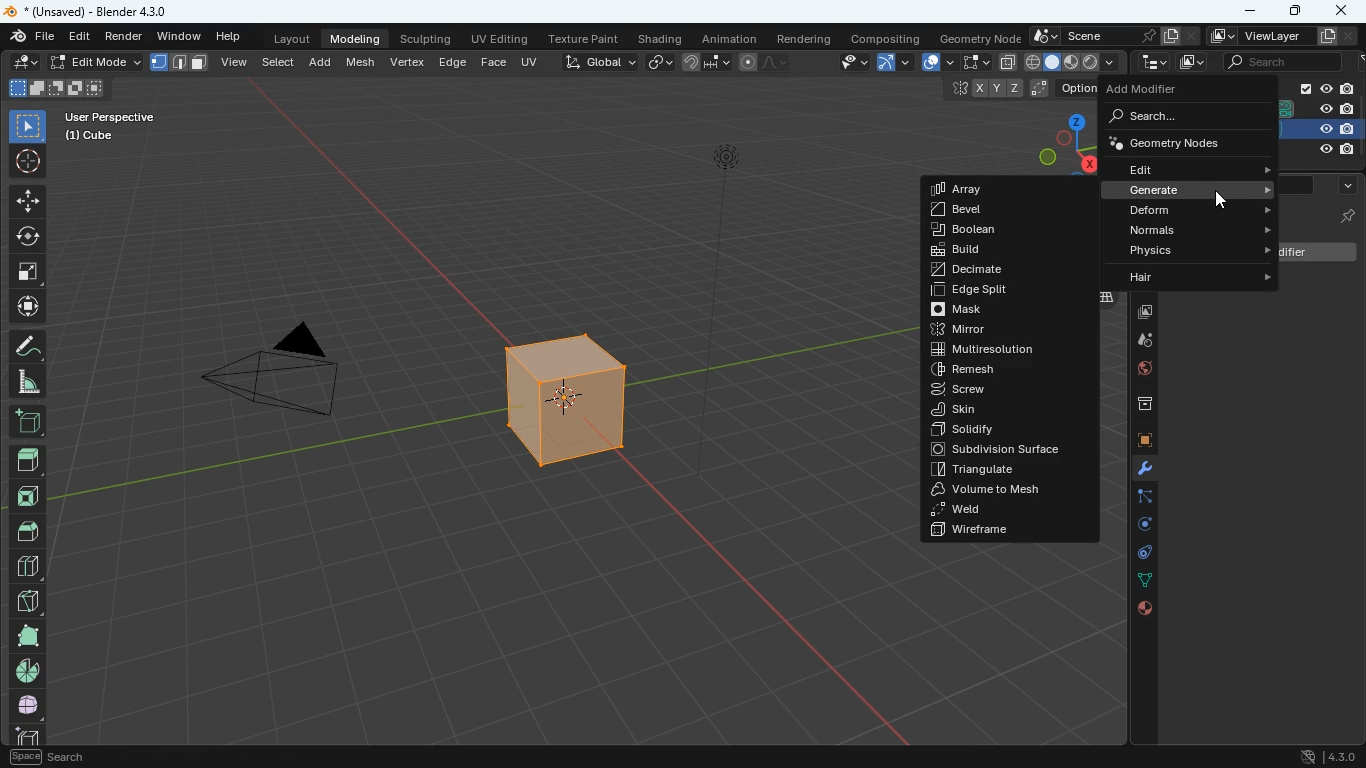 This screenshot has height=768, width=1366. What do you see at coordinates (1317, 252) in the screenshot?
I see `add modifiet` at bounding box center [1317, 252].